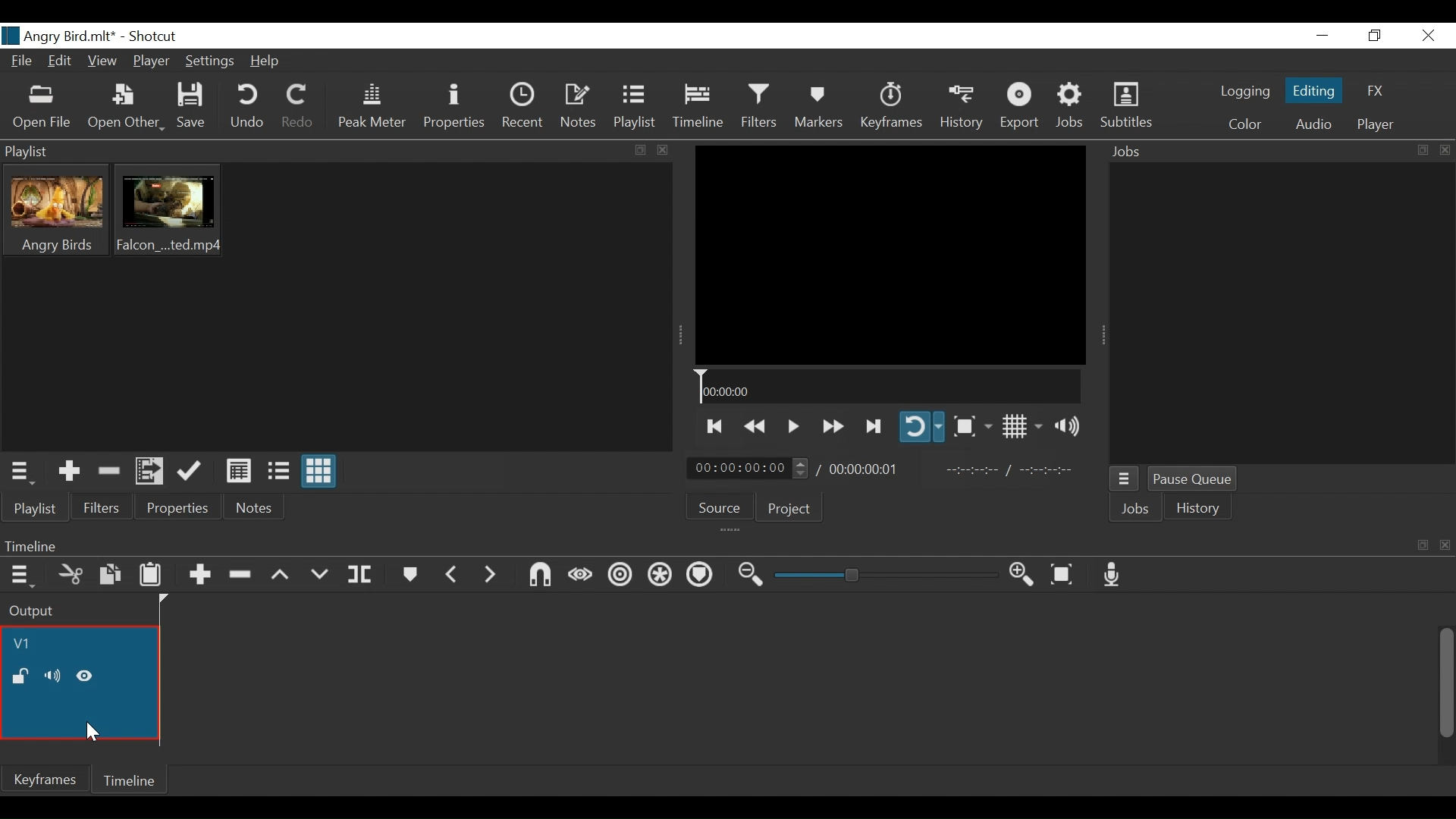  What do you see at coordinates (111, 576) in the screenshot?
I see `Copy` at bounding box center [111, 576].